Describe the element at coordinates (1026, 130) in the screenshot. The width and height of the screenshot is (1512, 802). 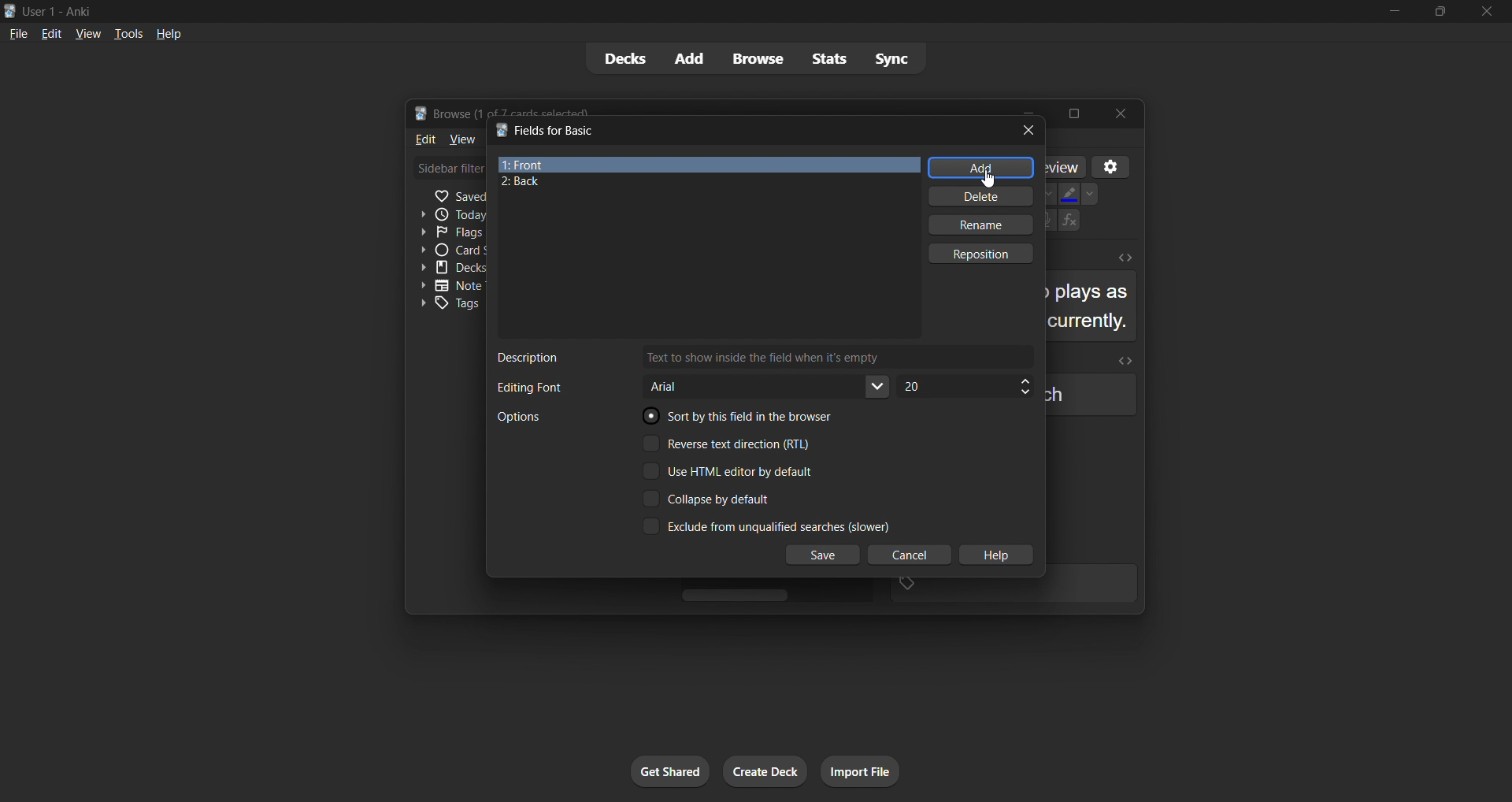
I see `close` at that location.